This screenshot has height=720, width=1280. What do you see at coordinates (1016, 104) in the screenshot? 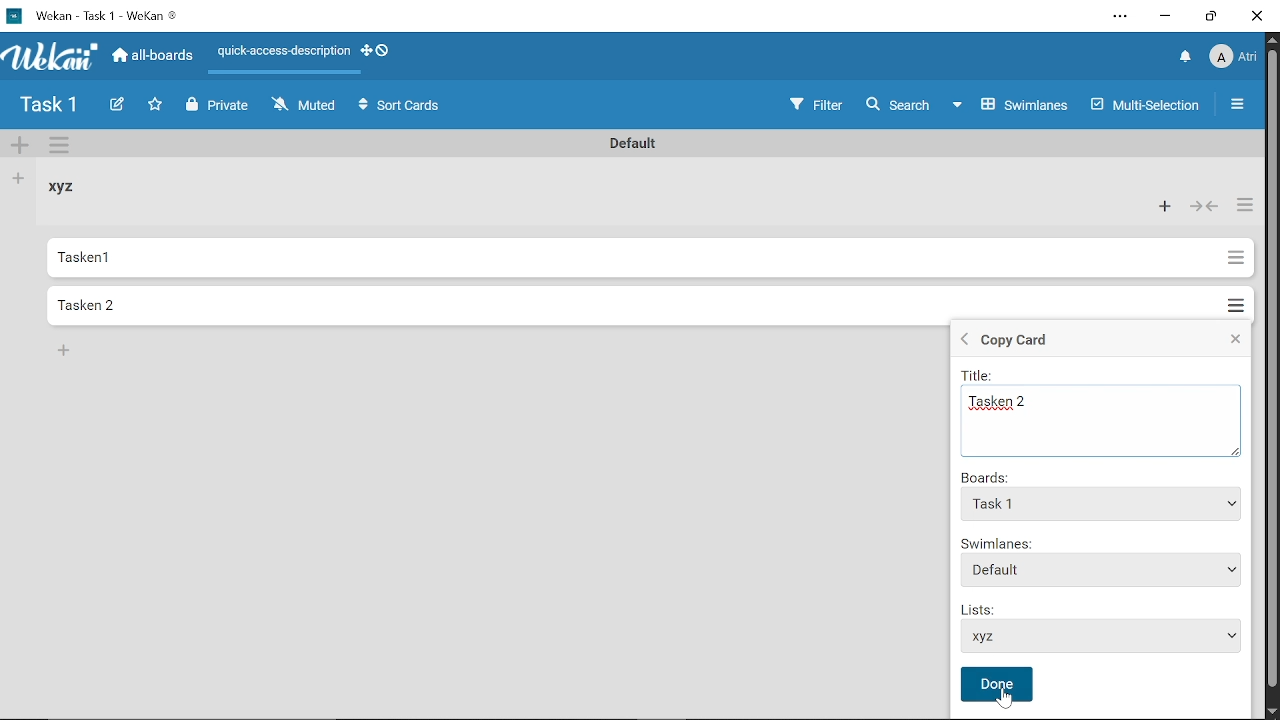
I see `Swimlanes` at bounding box center [1016, 104].